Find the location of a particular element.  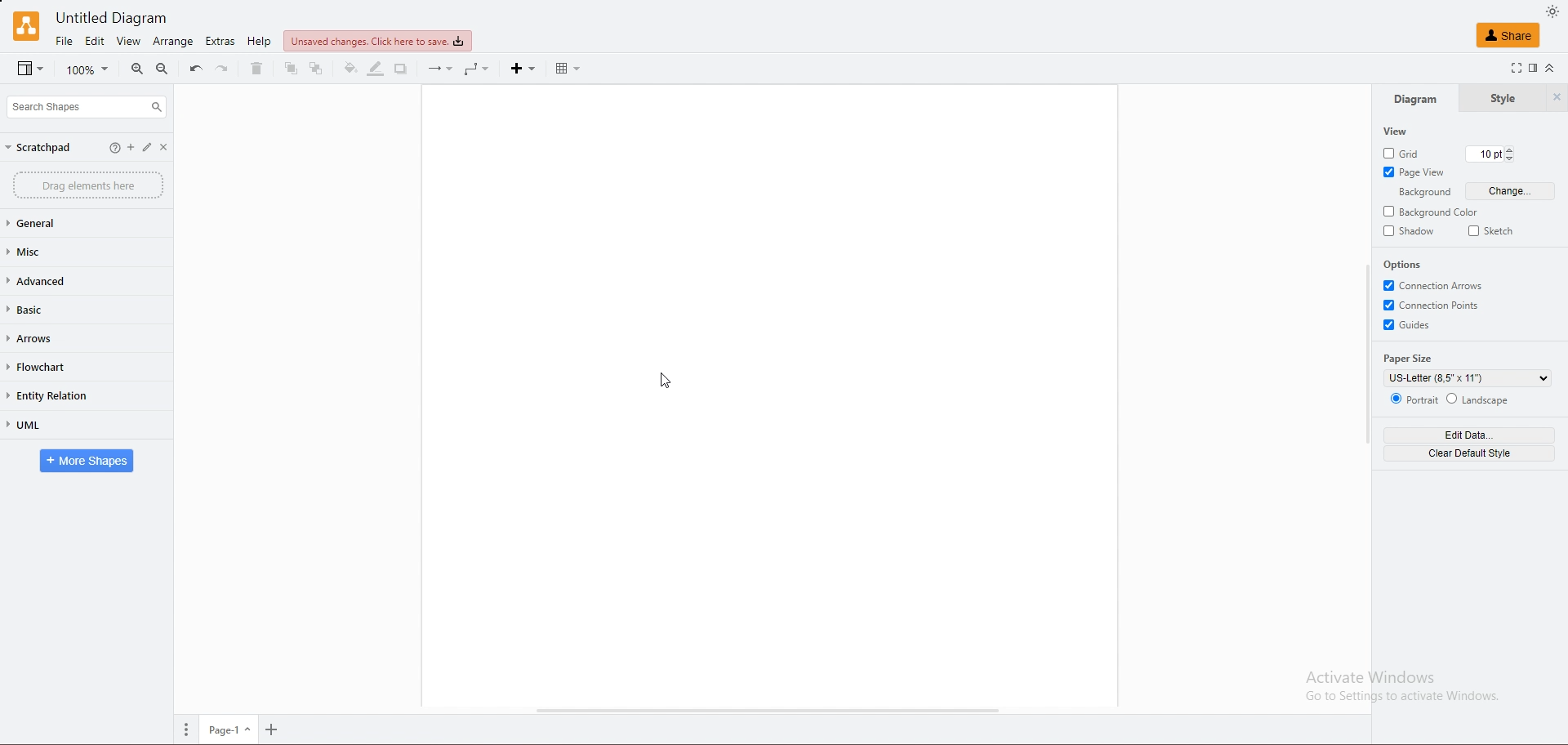

view is located at coordinates (1394, 132).